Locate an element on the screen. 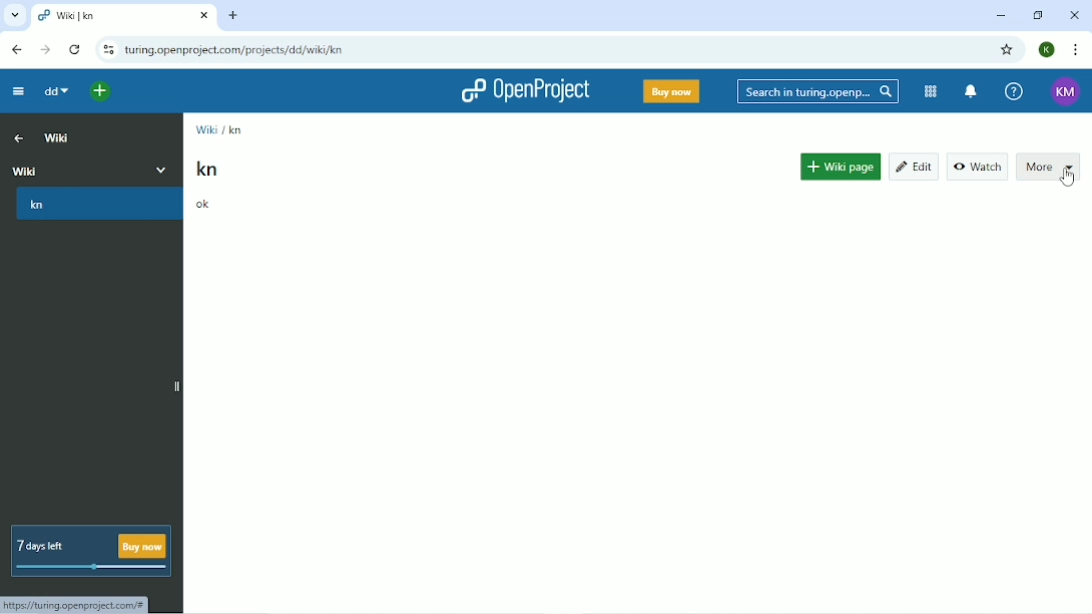 This screenshot has width=1092, height=614. Up is located at coordinates (19, 137).